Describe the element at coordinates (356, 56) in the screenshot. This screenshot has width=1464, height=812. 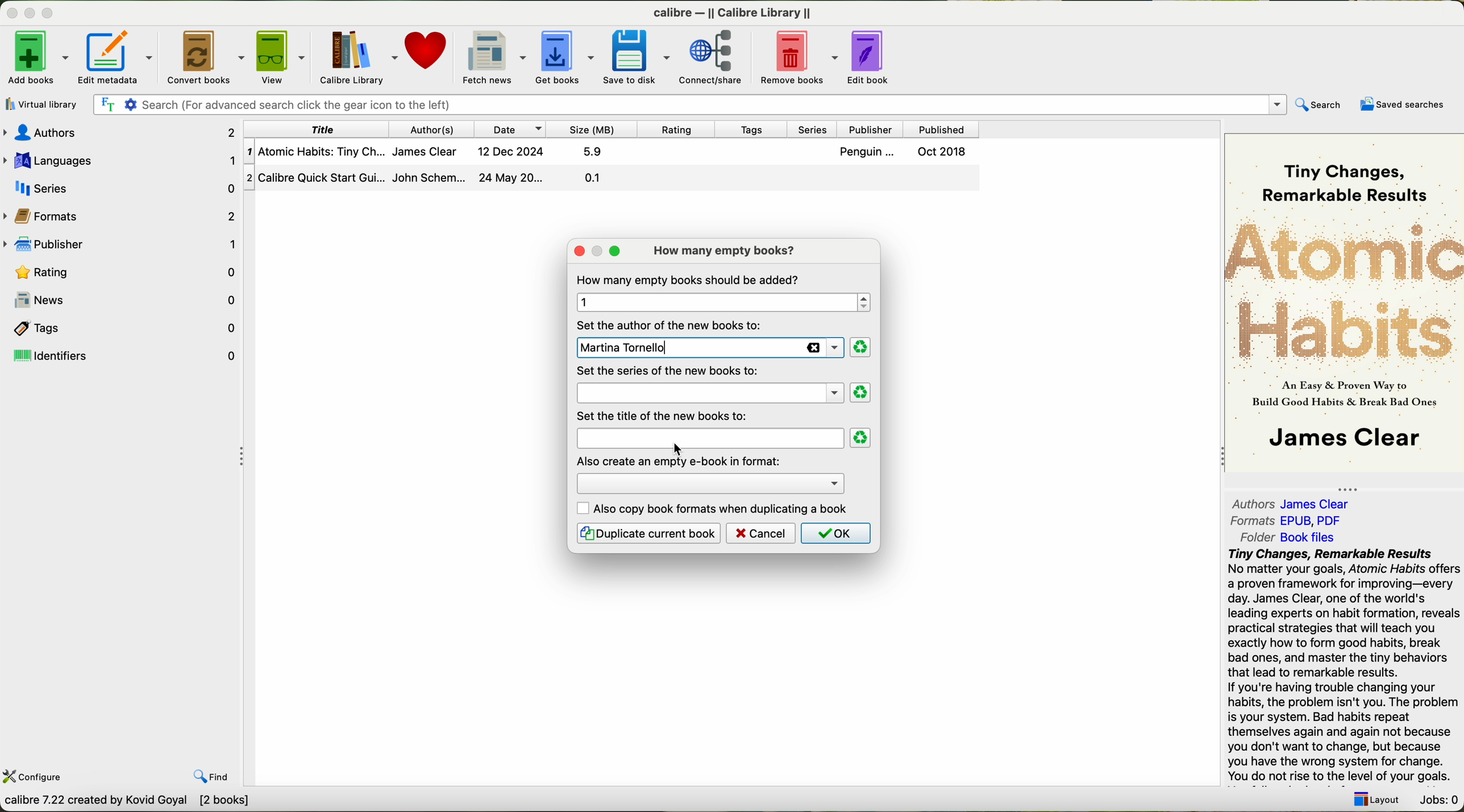
I see `calibre library` at that location.